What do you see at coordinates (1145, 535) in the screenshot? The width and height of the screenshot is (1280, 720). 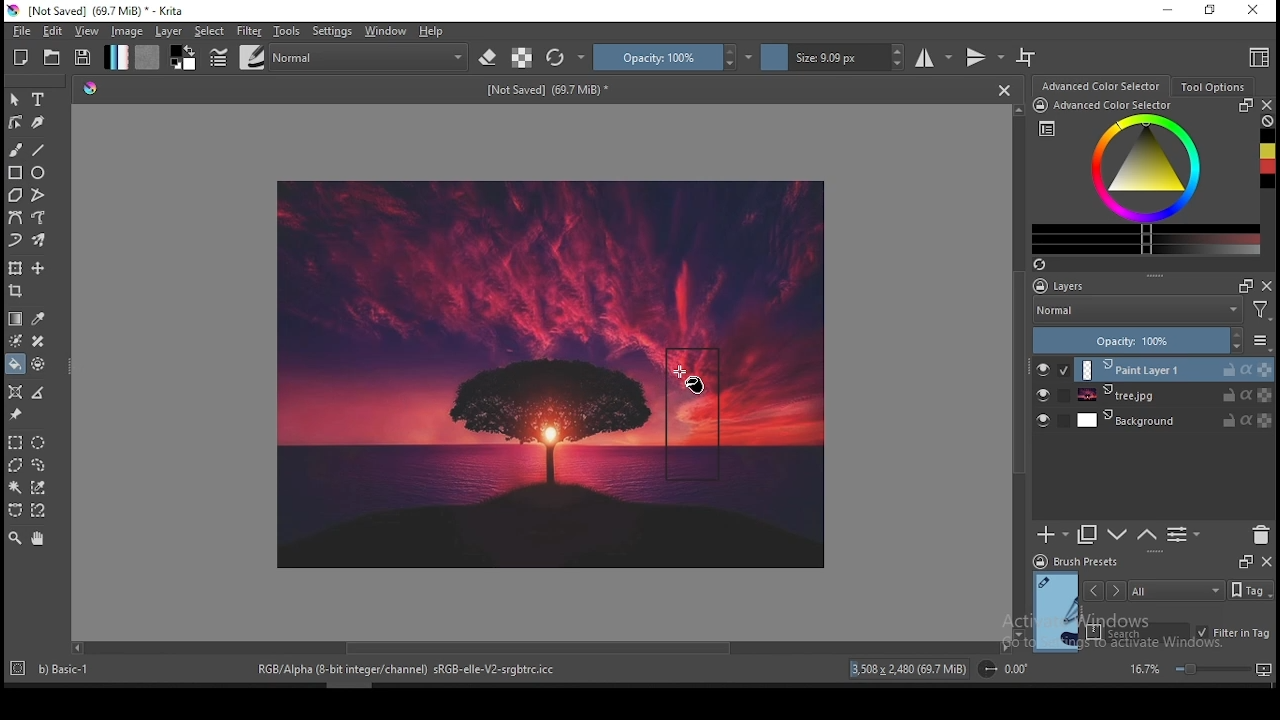 I see `move layer one step up` at bounding box center [1145, 535].